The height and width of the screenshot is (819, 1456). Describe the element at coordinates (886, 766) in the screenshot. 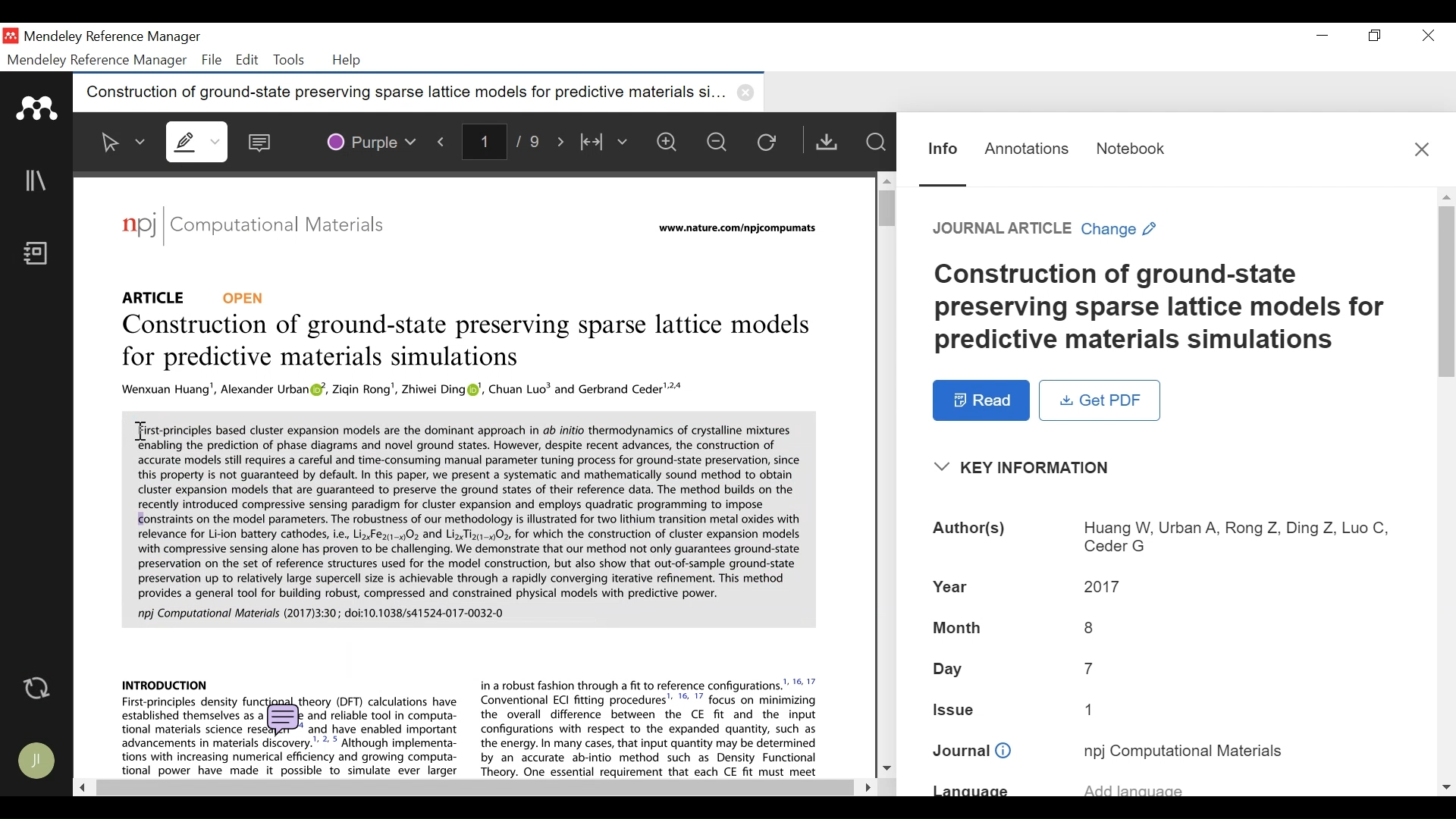

I see `Scroll down` at that location.